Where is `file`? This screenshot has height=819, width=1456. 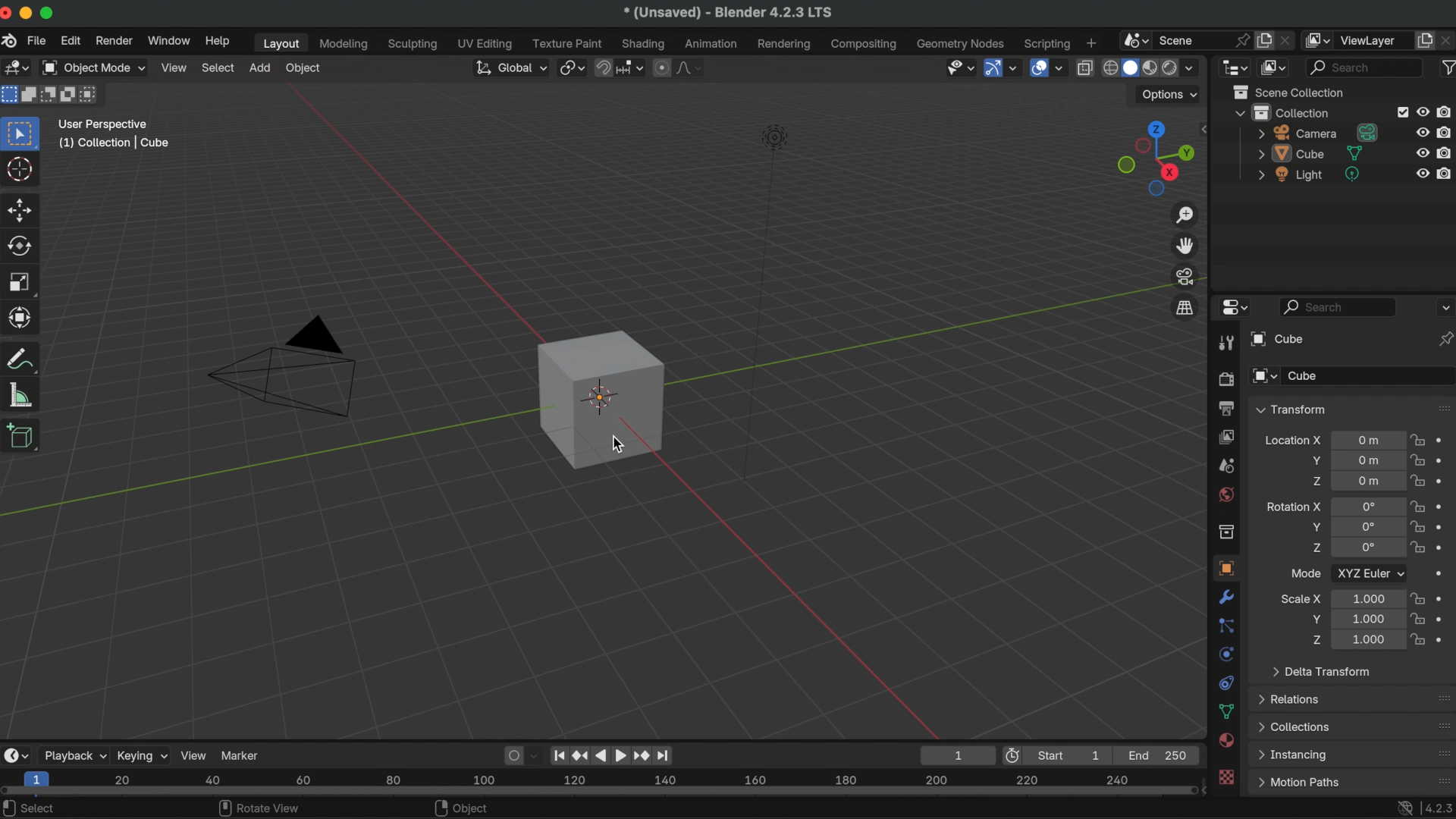 file is located at coordinates (36, 41).